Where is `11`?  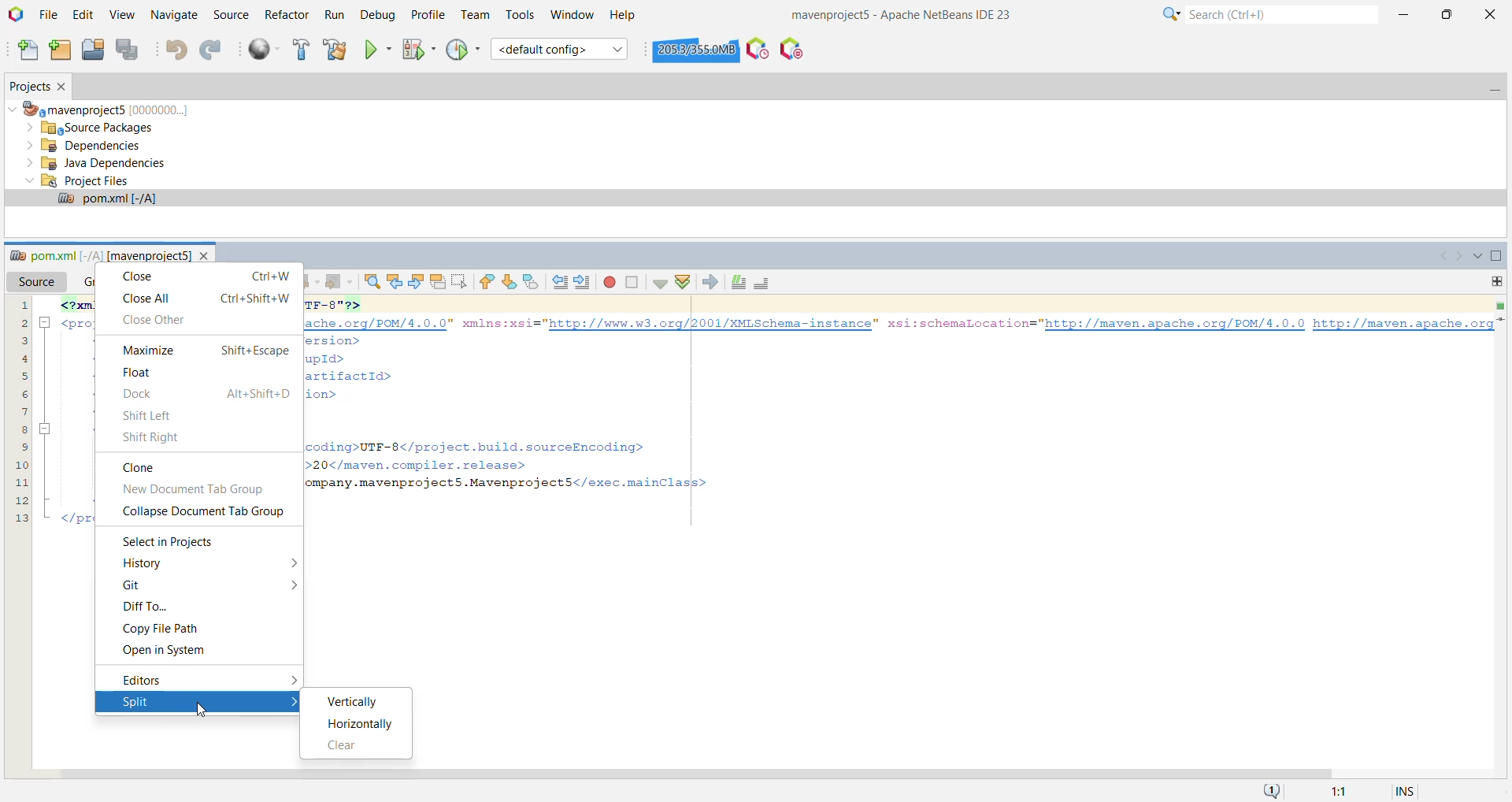
11 is located at coordinates (22, 481).